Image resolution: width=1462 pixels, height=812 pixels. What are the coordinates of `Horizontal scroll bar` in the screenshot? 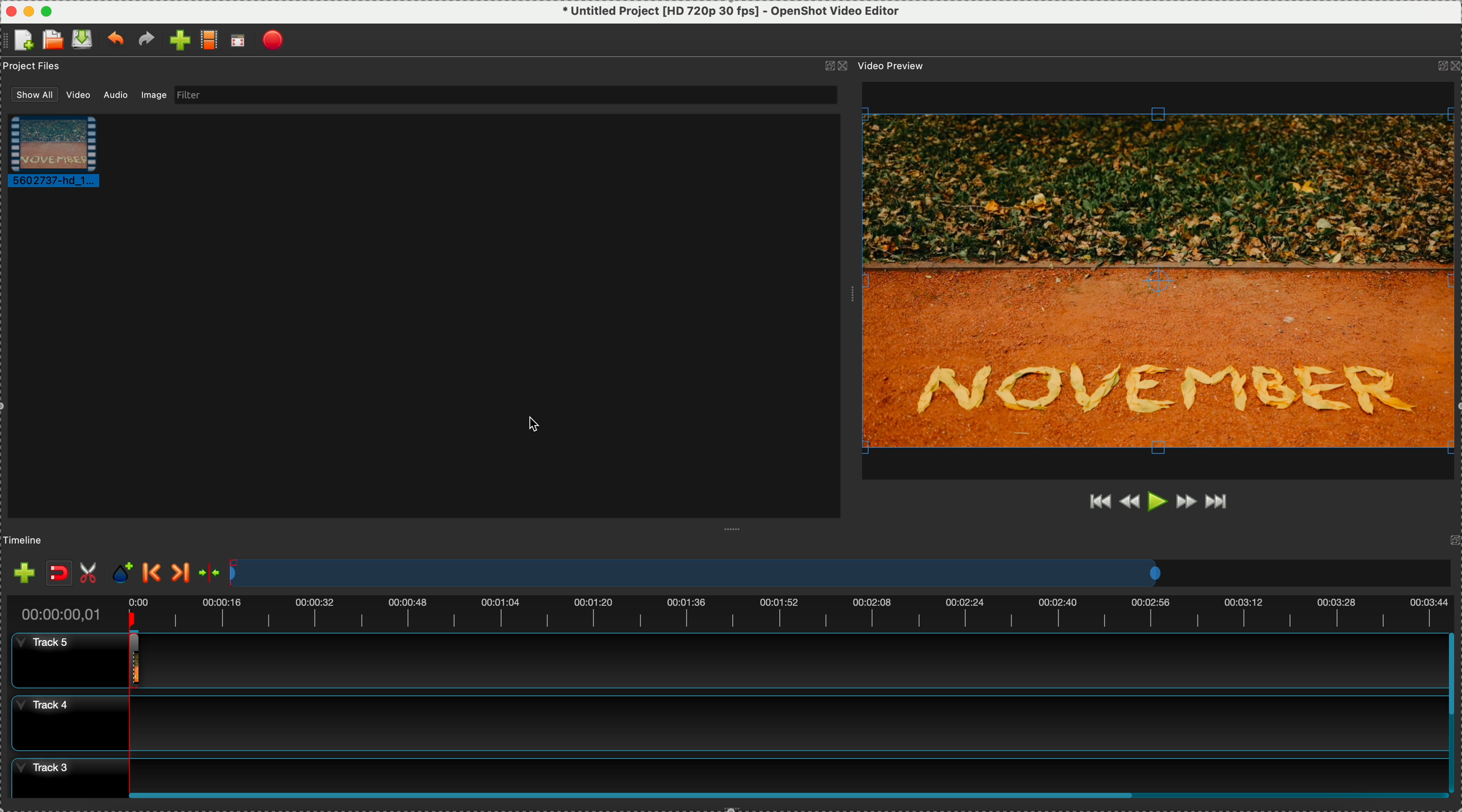 It's located at (788, 796).